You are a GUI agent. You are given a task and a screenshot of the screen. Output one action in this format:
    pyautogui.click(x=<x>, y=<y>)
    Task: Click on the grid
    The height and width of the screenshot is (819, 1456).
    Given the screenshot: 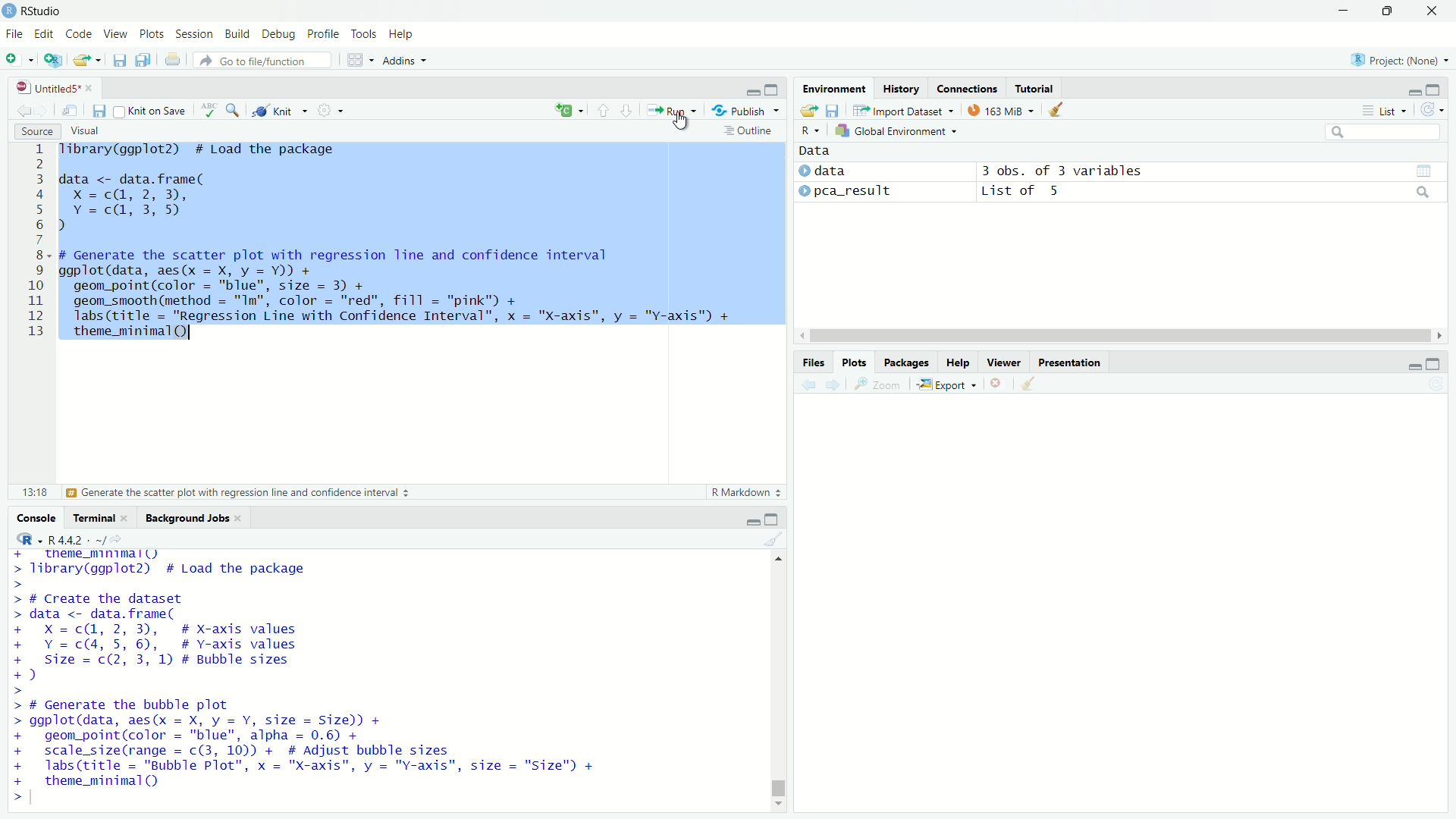 What is the action you would take?
    pyautogui.click(x=1423, y=171)
    